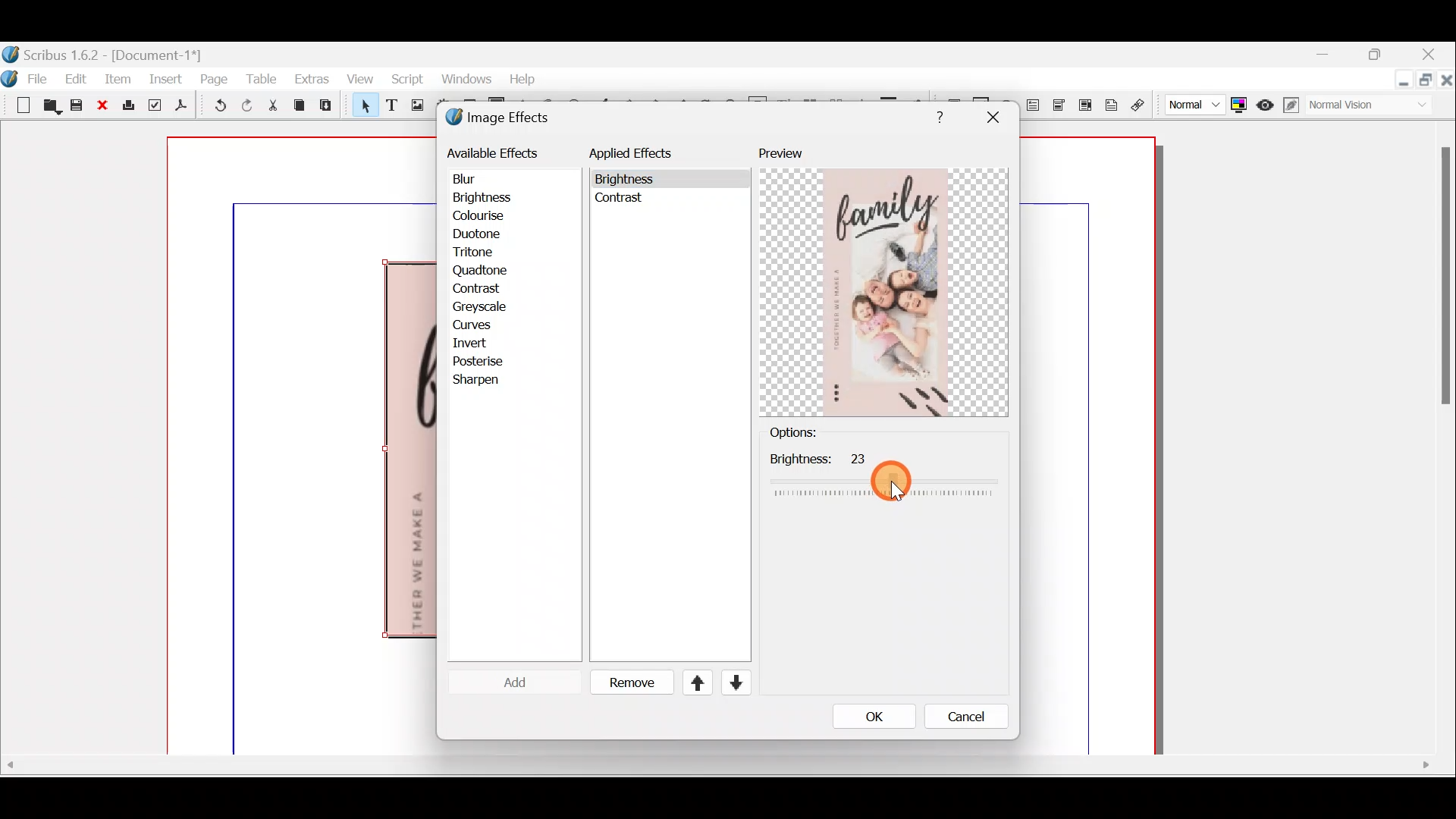  I want to click on Select image preview quality, so click(1191, 102).